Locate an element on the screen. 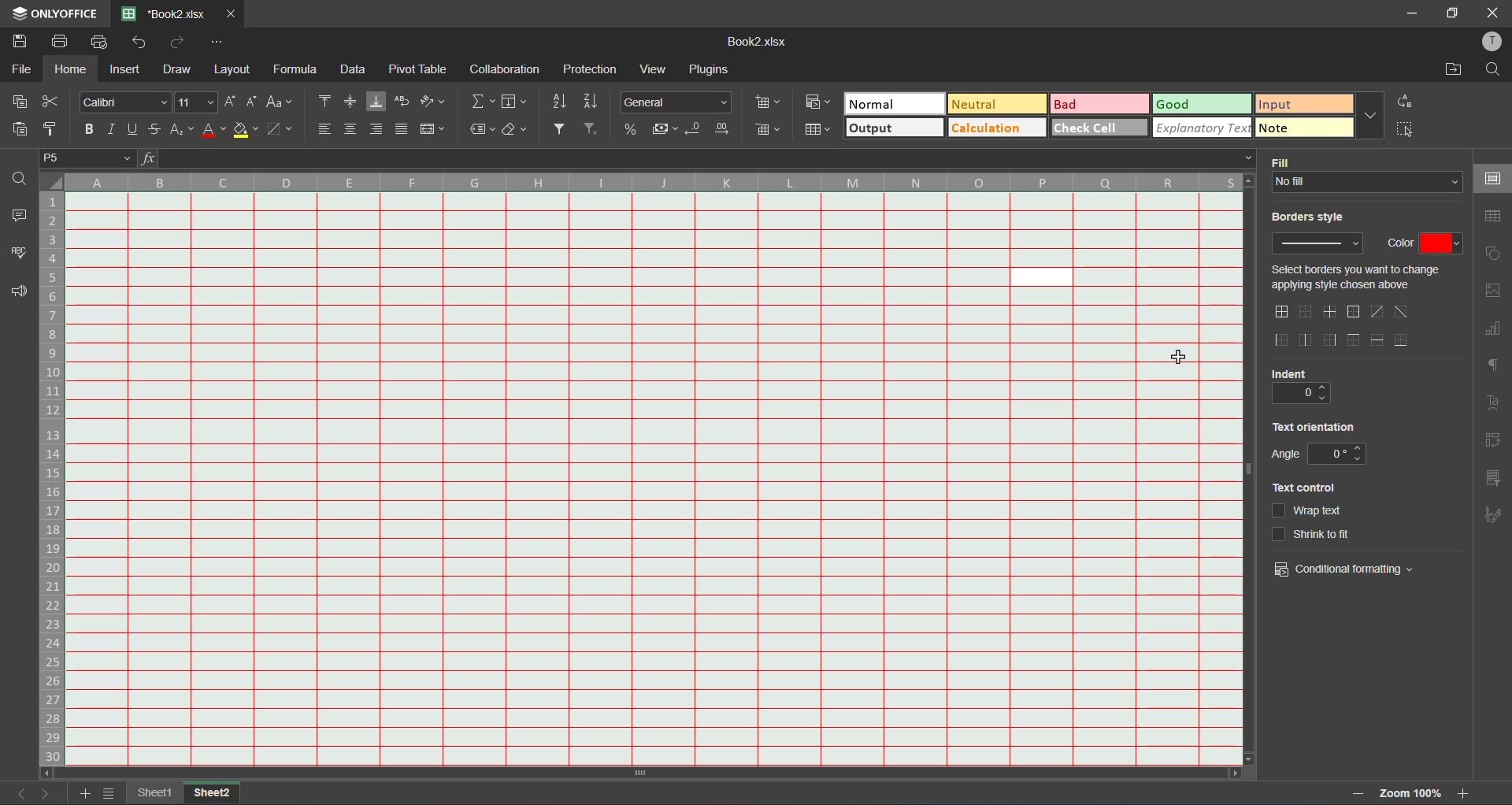  table is located at coordinates (1494, 218).